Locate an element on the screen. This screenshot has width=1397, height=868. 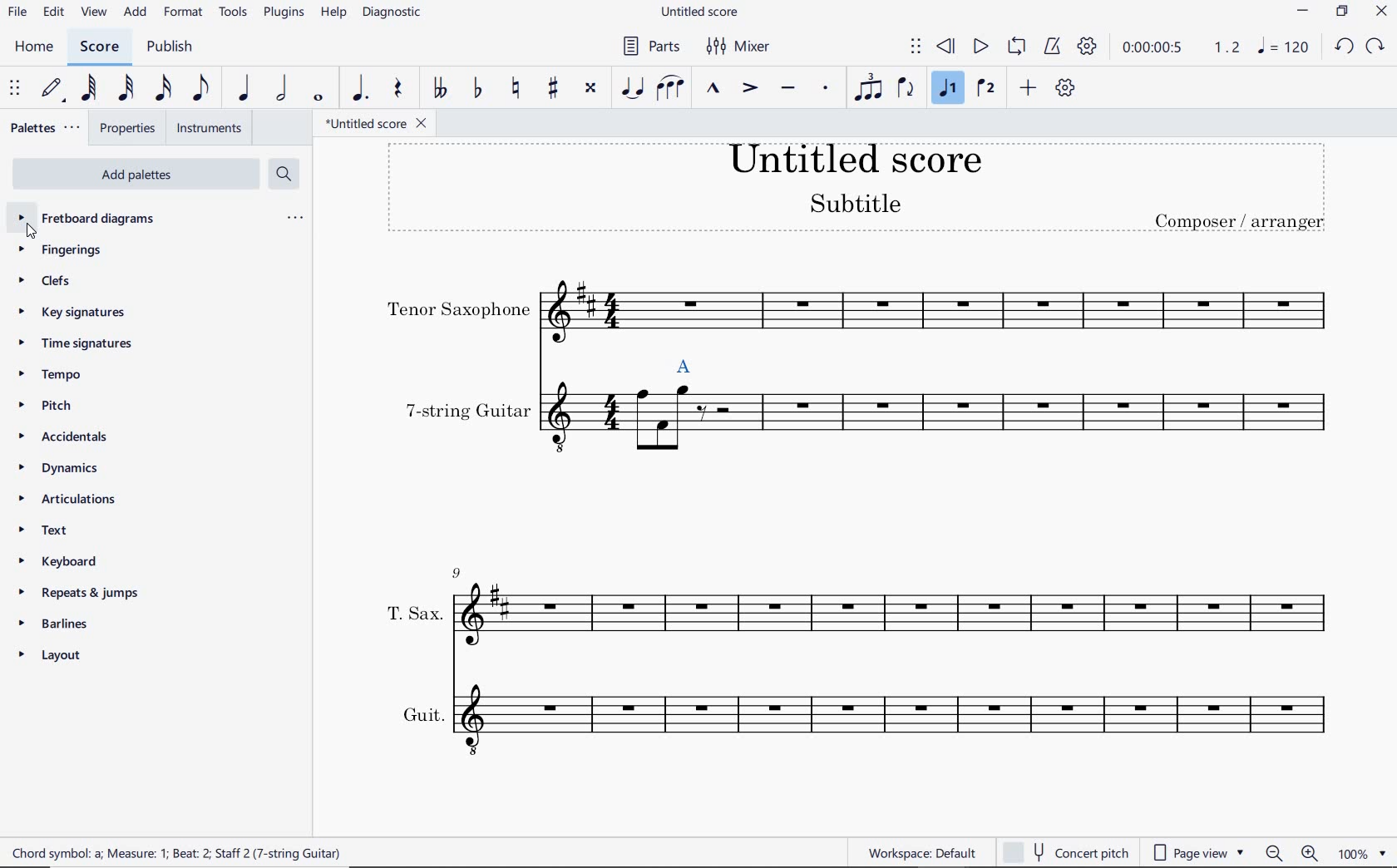
INSTRUMENT: GUIT is located at coordinates (862, 718).